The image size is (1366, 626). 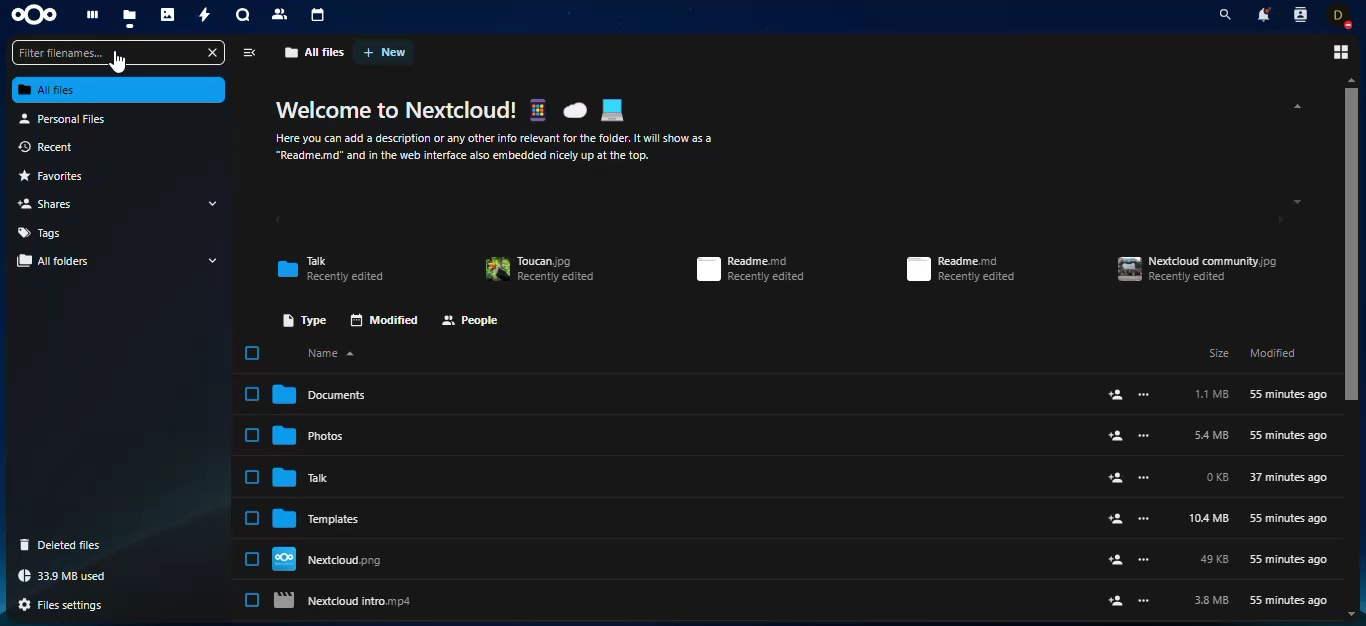 I want to click on scroll up, so click(x=1294, y=106).